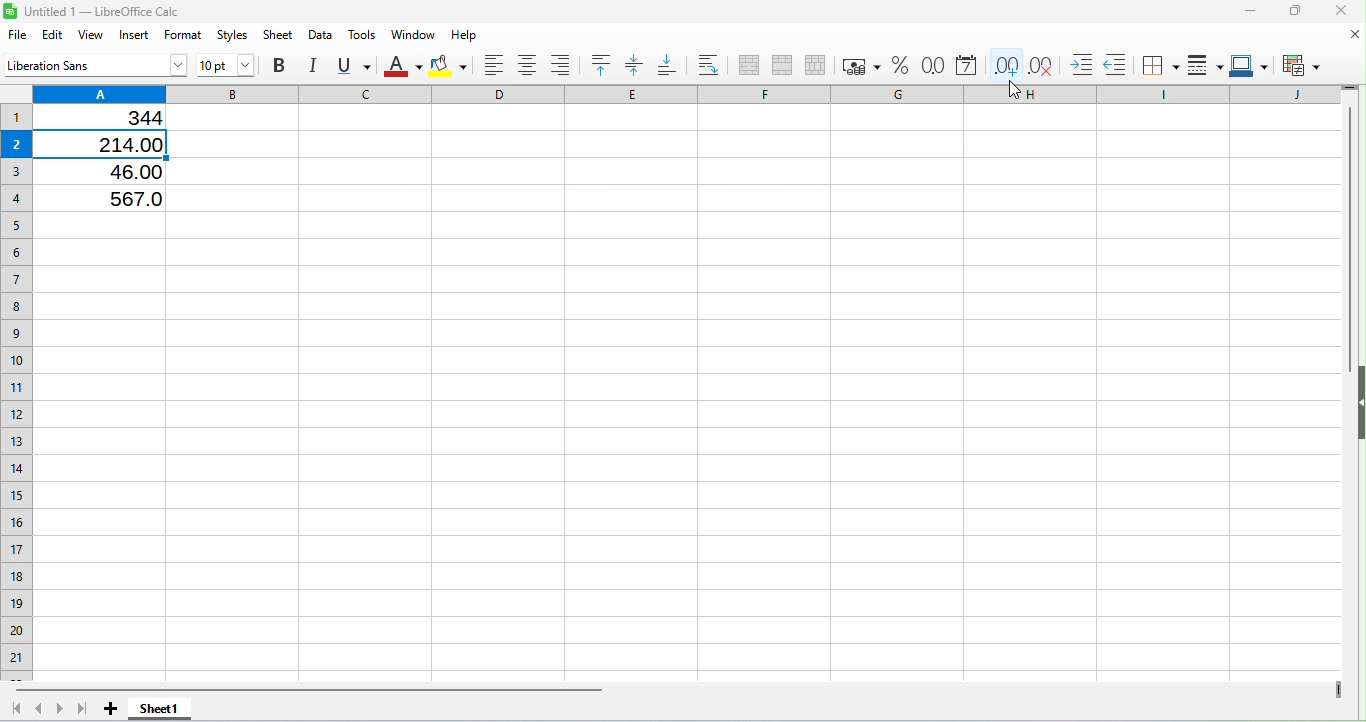  Describe the element at coordinates (1334, 12) in the screenshot. I see `Close` at that location.